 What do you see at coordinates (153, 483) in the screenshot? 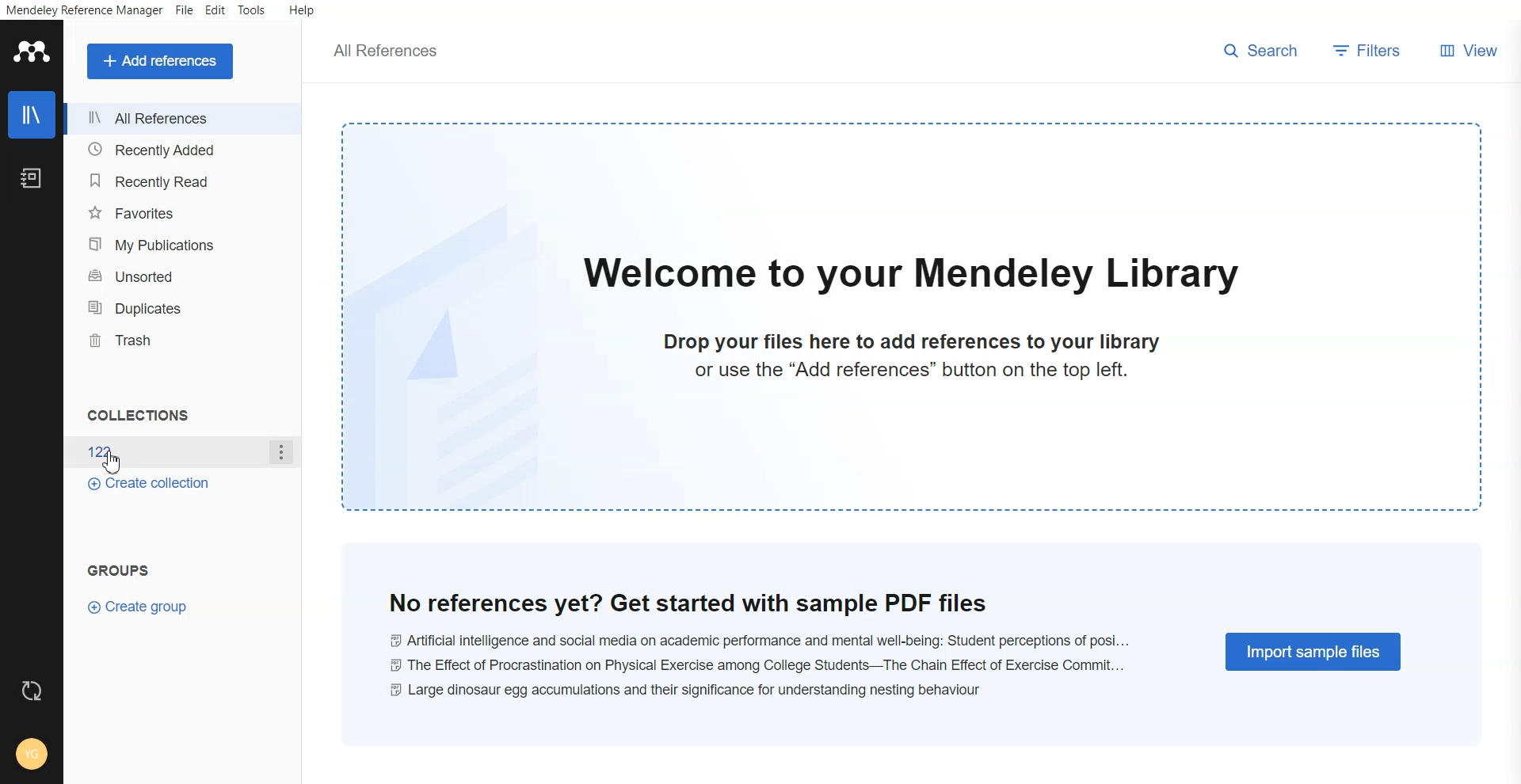
I see `Create collections` at bounding box center [153, 483].